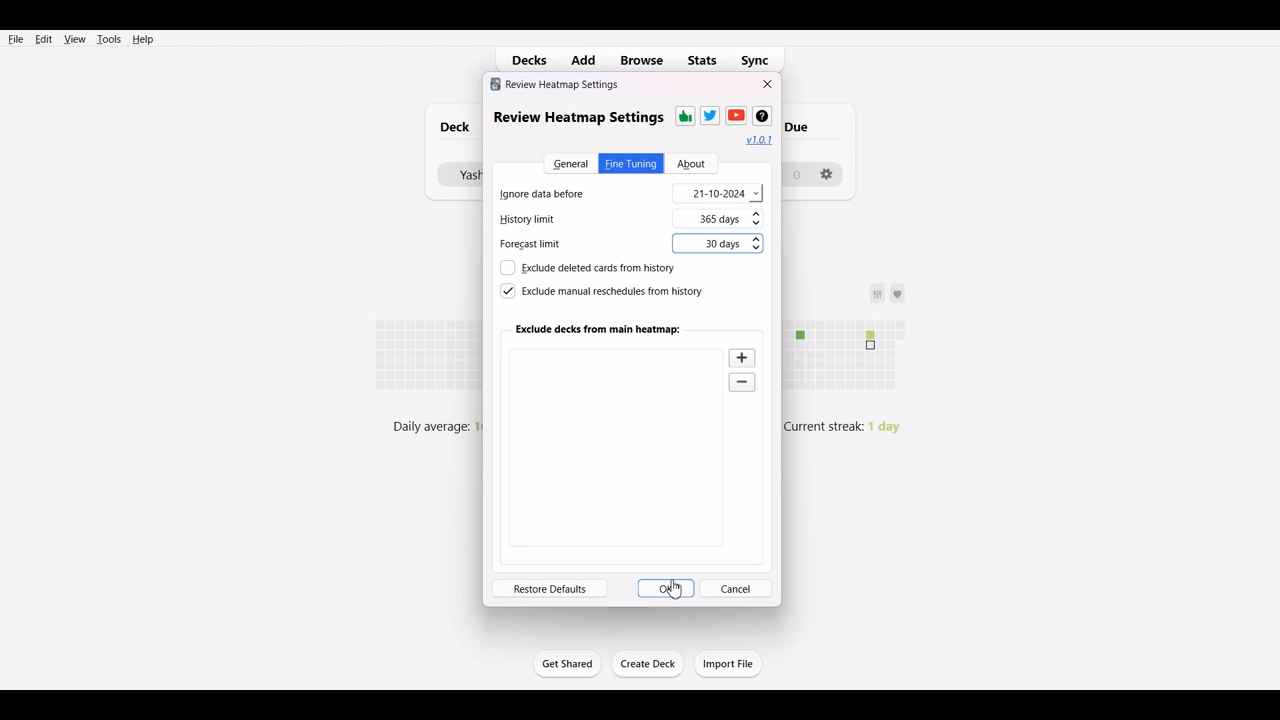 This screenshot has width=1280, height=720. What do you see at coordinates (74, 39) in the screenshot?
I see `View` at bounding box center [74, 39].